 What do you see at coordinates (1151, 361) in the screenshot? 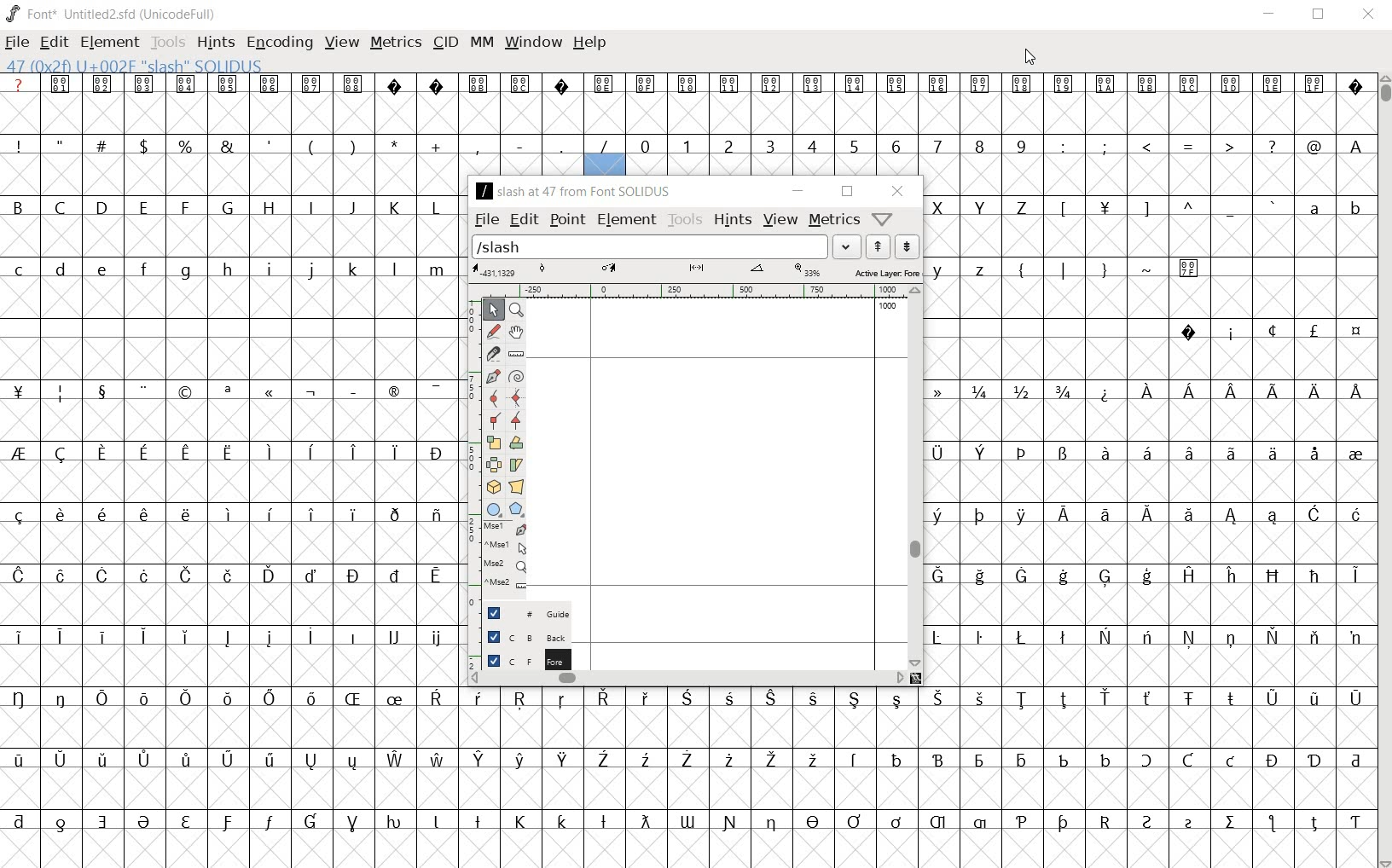
I see `empty cells` at bounding box center [1151, 361].